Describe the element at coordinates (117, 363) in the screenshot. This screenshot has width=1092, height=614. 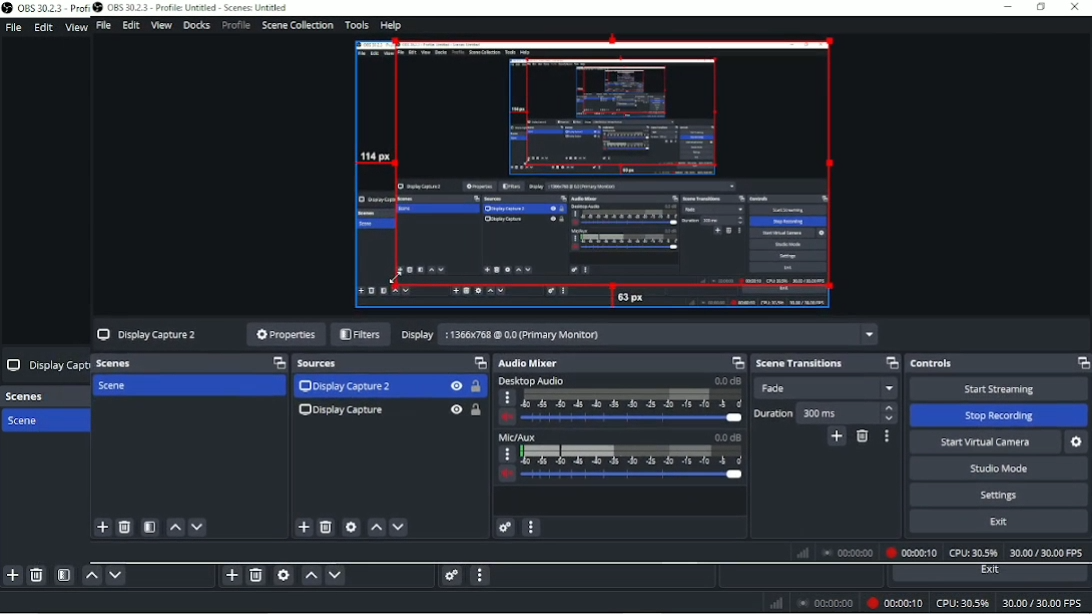
I see `Scenes` at that location.